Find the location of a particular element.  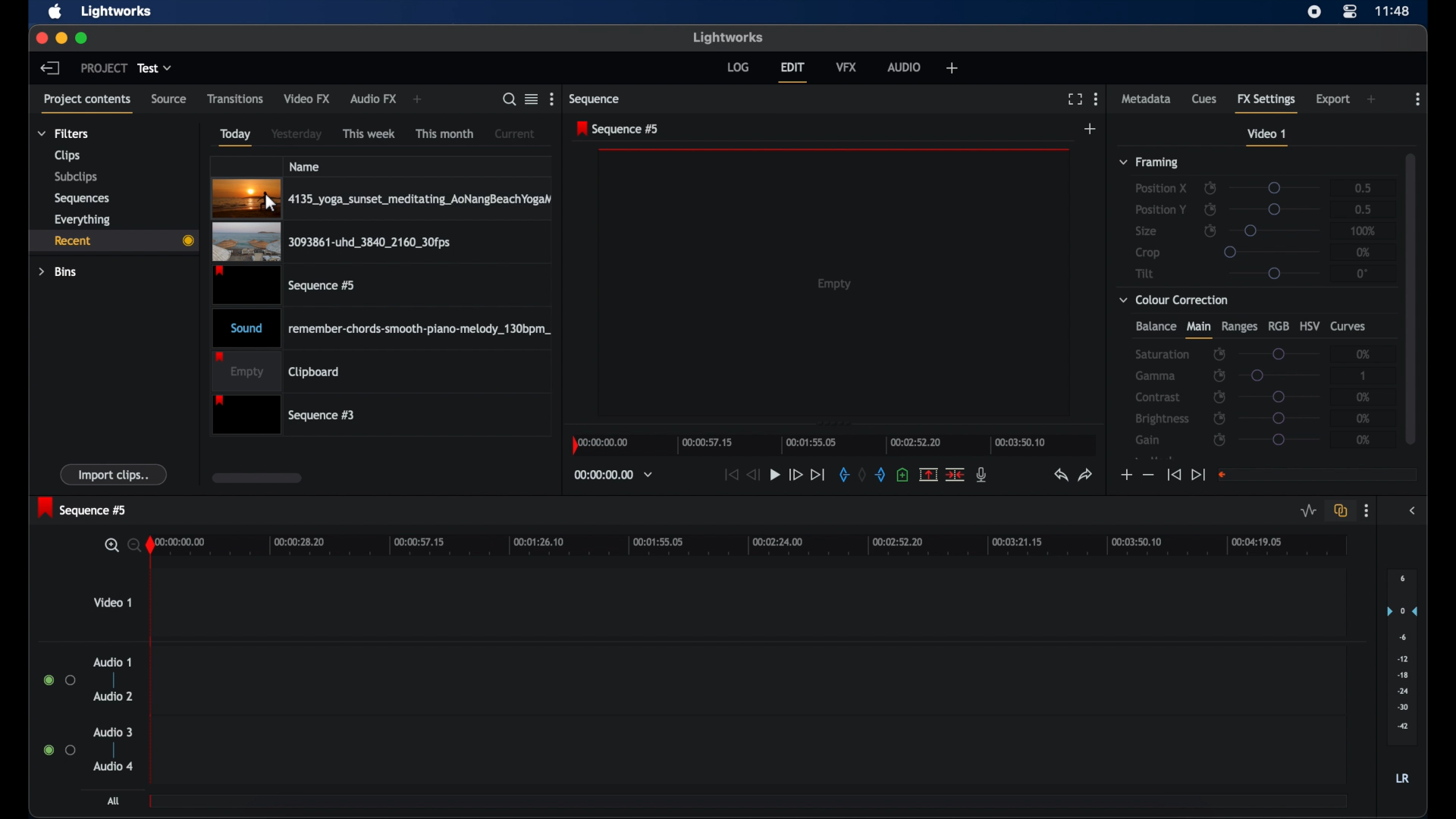

recent is located at coordinates (113, 240).